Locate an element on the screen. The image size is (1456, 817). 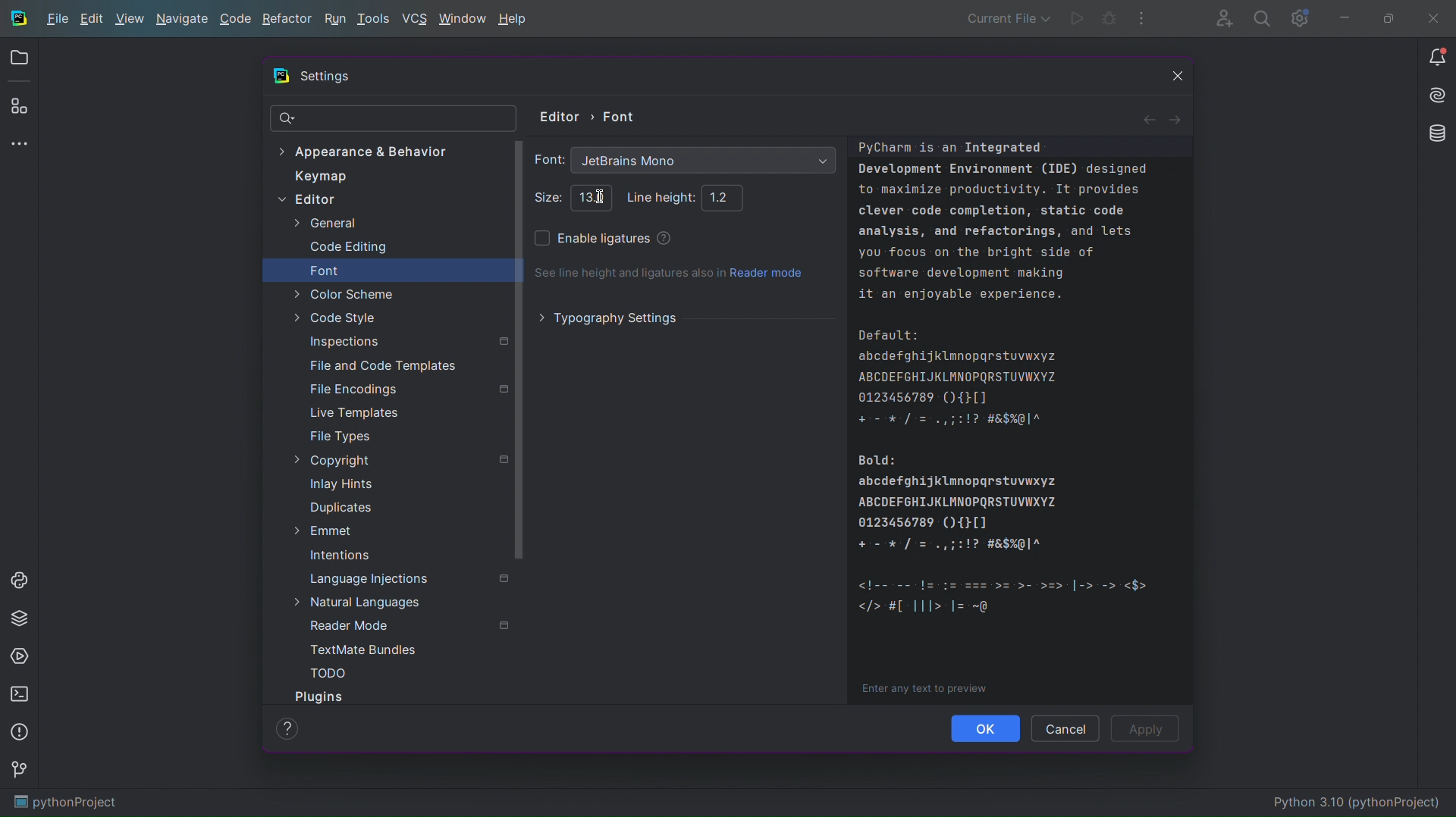
Editor is located at coordinates (306, 201).